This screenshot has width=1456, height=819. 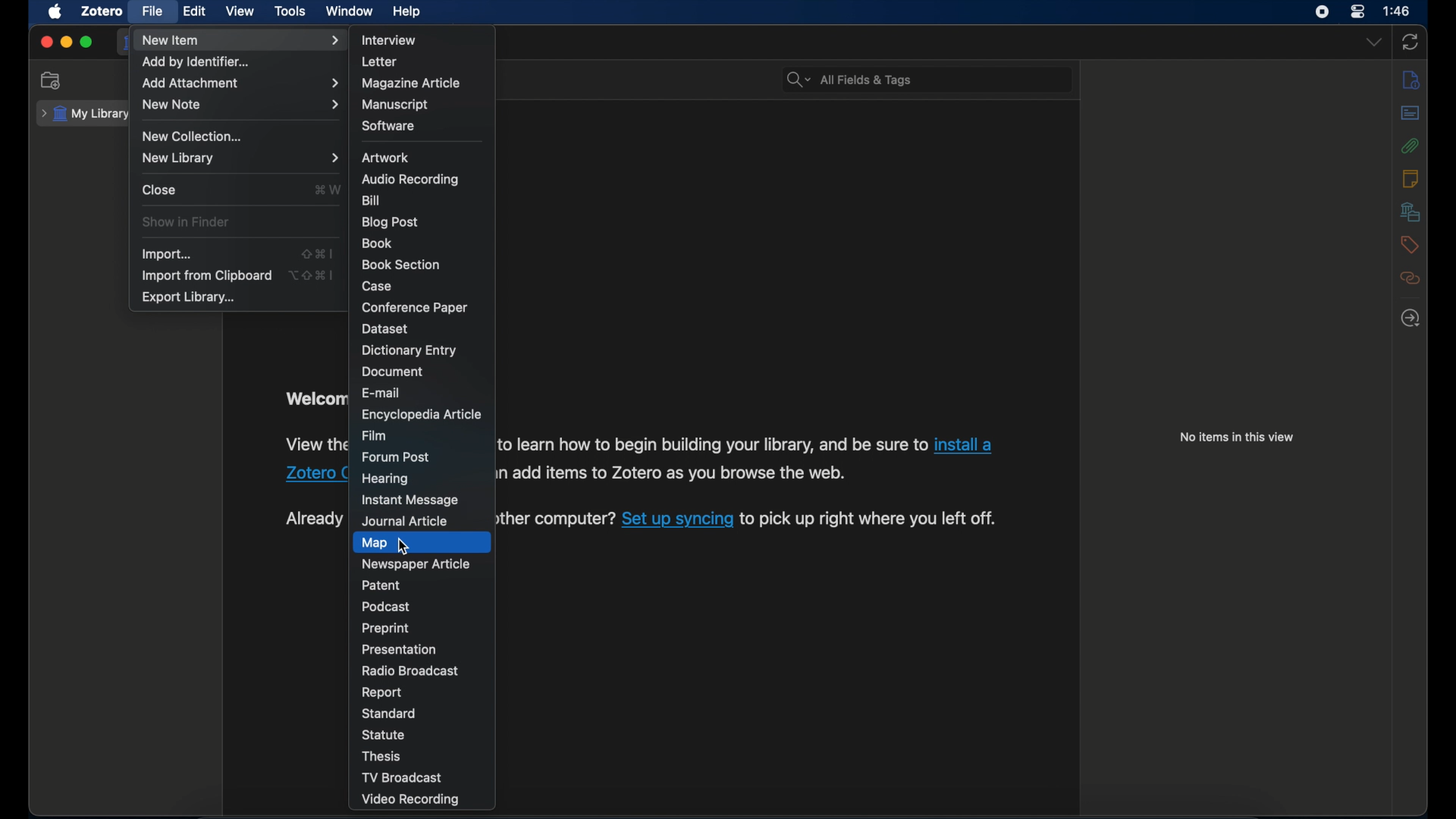 What do you see at coordinates (411, 83) in the screenshot?
I see `magazine article` at bounding box center [411, 83].